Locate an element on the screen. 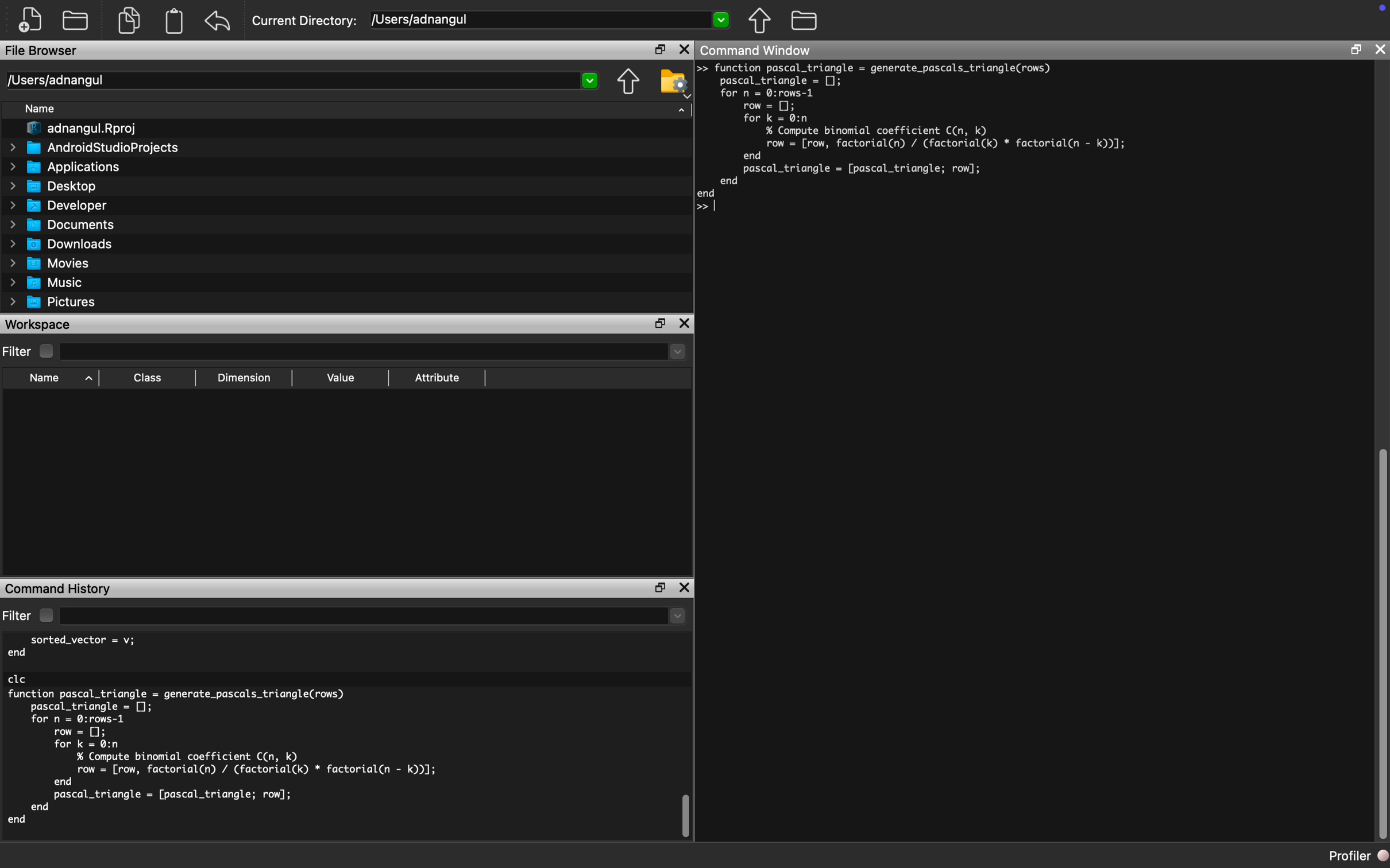 This screenshot has height=868, width=1390. Downloads is located at coordinates (61, 245).